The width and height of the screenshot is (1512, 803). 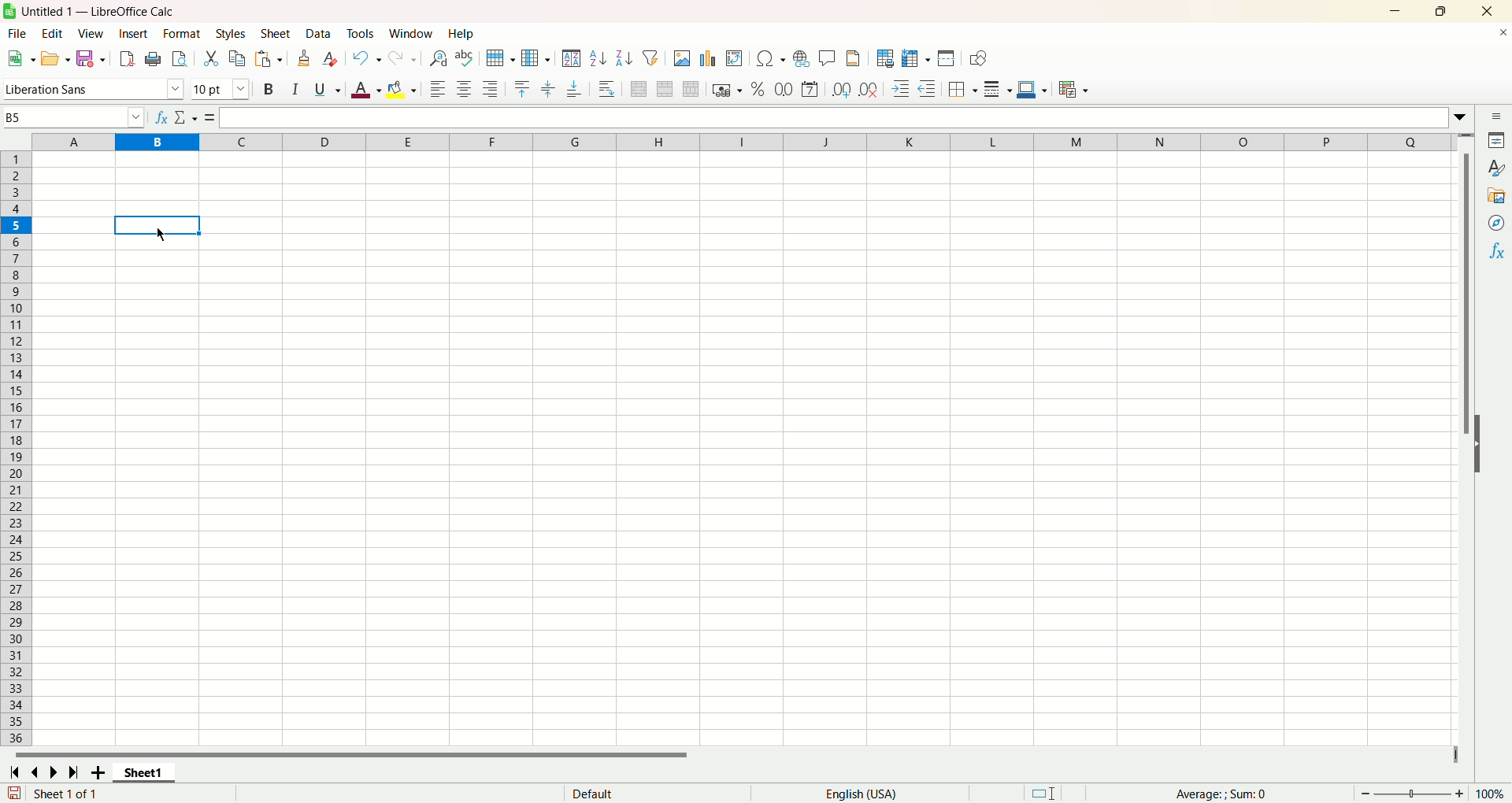 I want to click on formula bar, so click(x=835, y=119).